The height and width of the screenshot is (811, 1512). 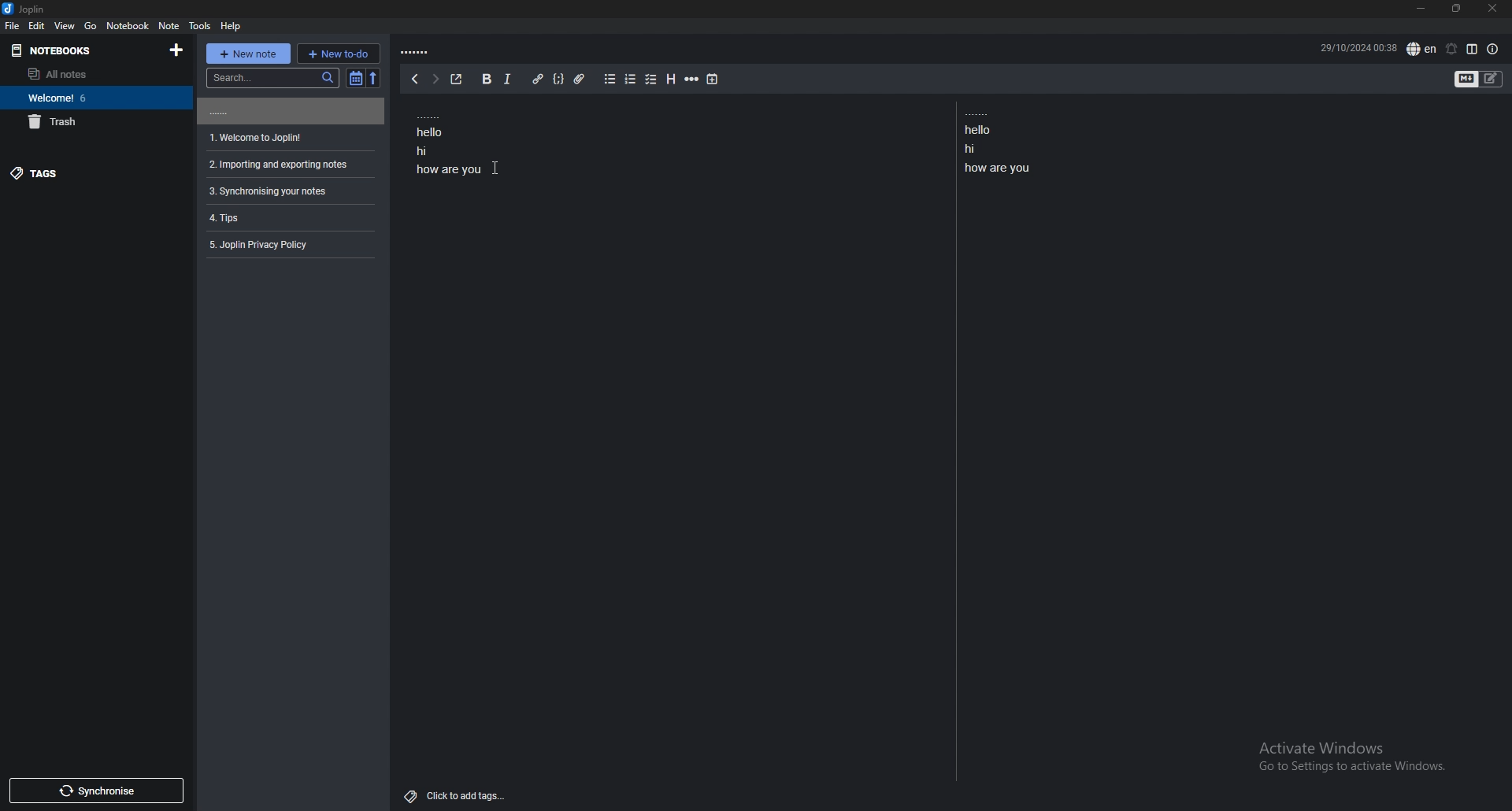 I want to click on toggle editor layout, so click(x=1473, y=49).